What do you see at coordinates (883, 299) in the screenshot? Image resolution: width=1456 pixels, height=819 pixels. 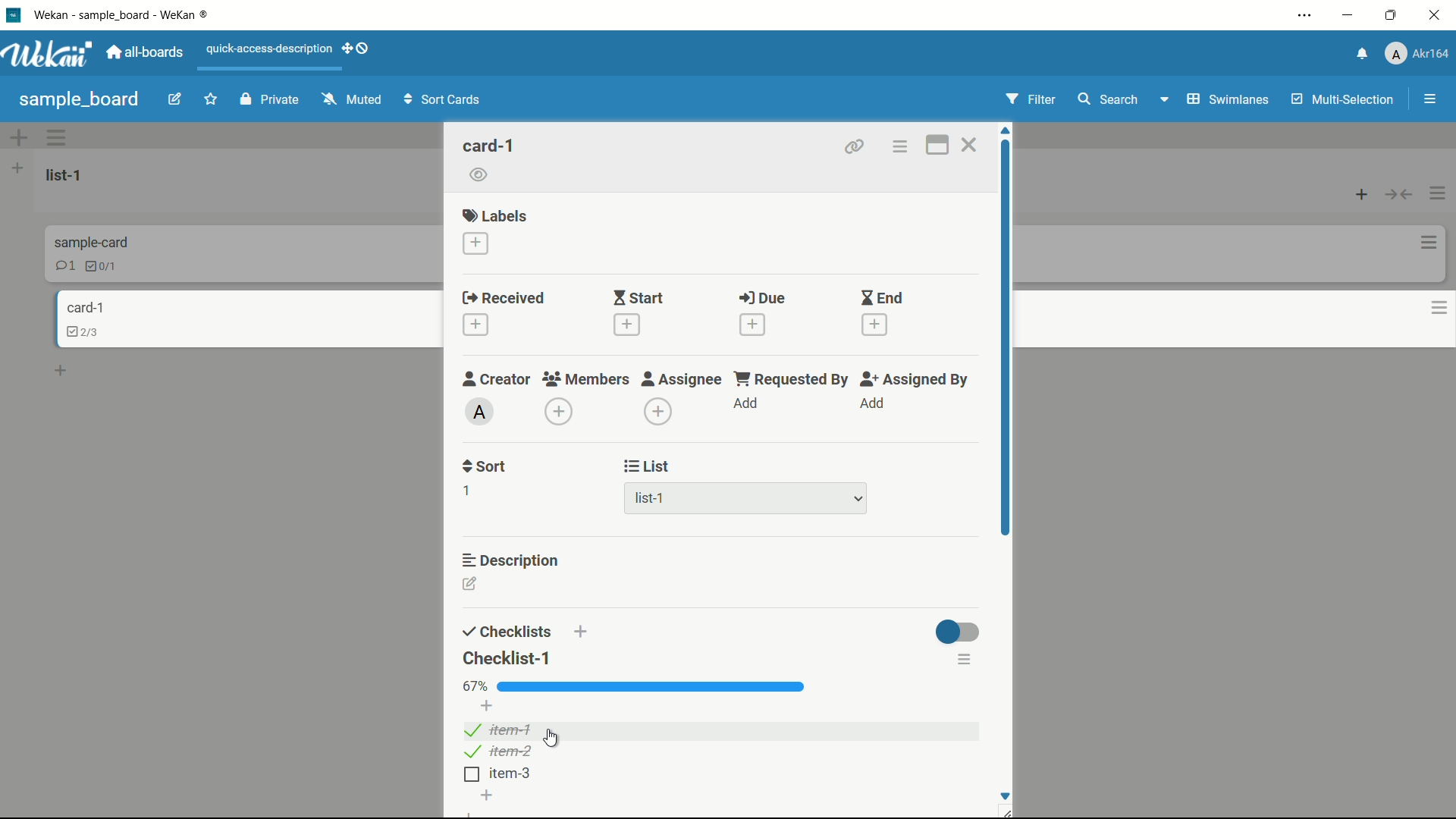 I see `end` at bounding box center [883, 299].